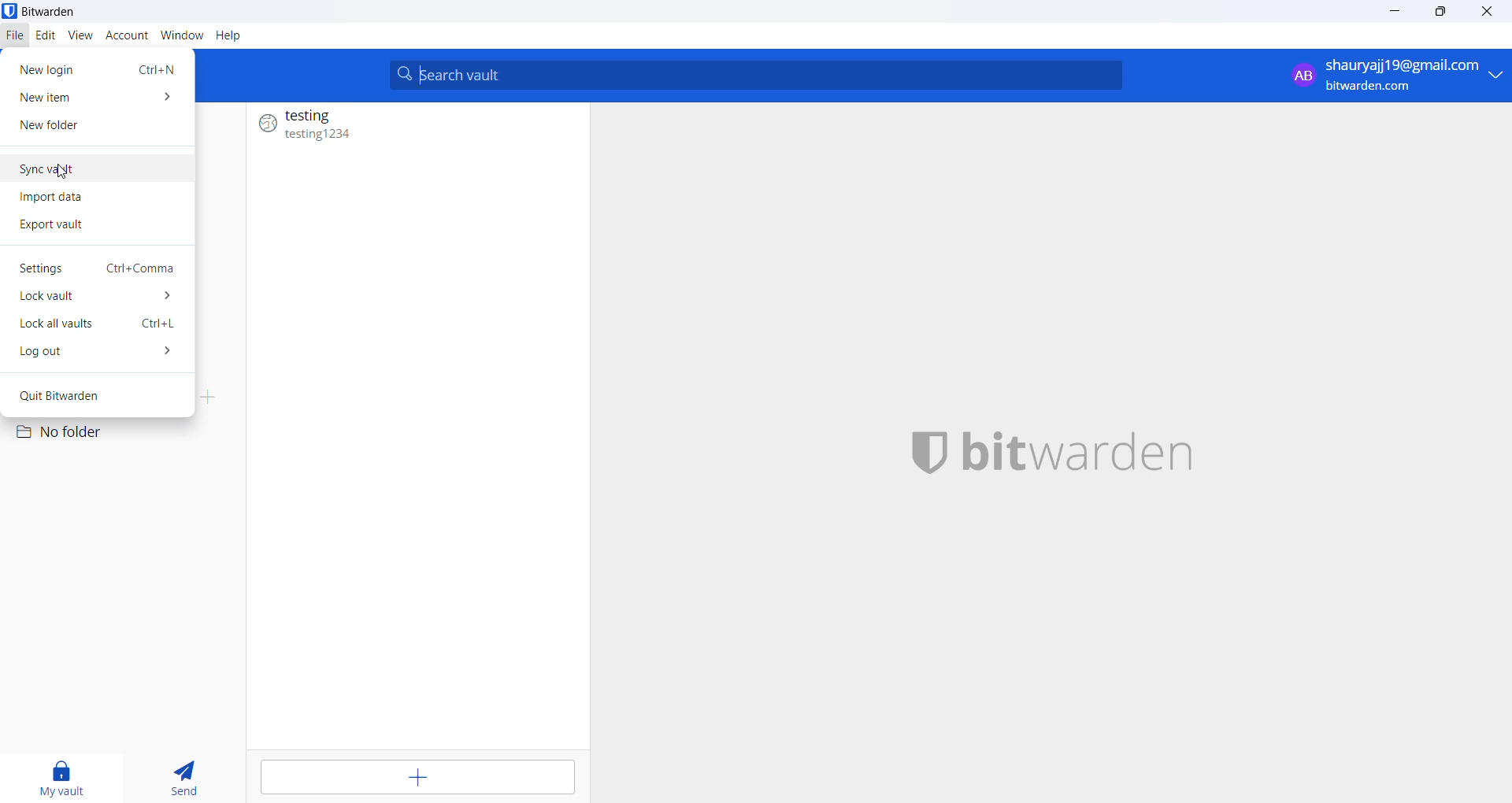 The image size is (1512, 803). What do you see at coordinates (95, 198) in the screenshot?
I see `import data` at bounding box center [95, 198].